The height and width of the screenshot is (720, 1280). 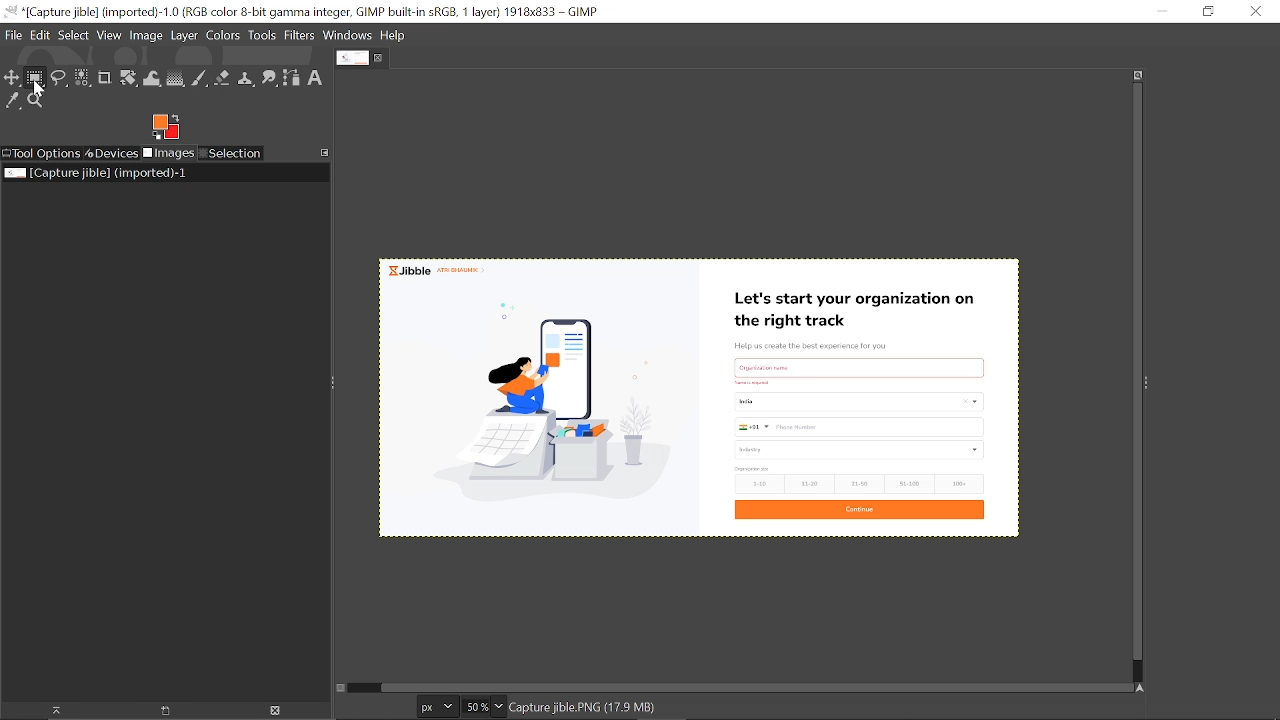 What do you see at coordinates (50, 710) in the screenshot?
I see `Raise display for this image` at bounding box center [50, 710].